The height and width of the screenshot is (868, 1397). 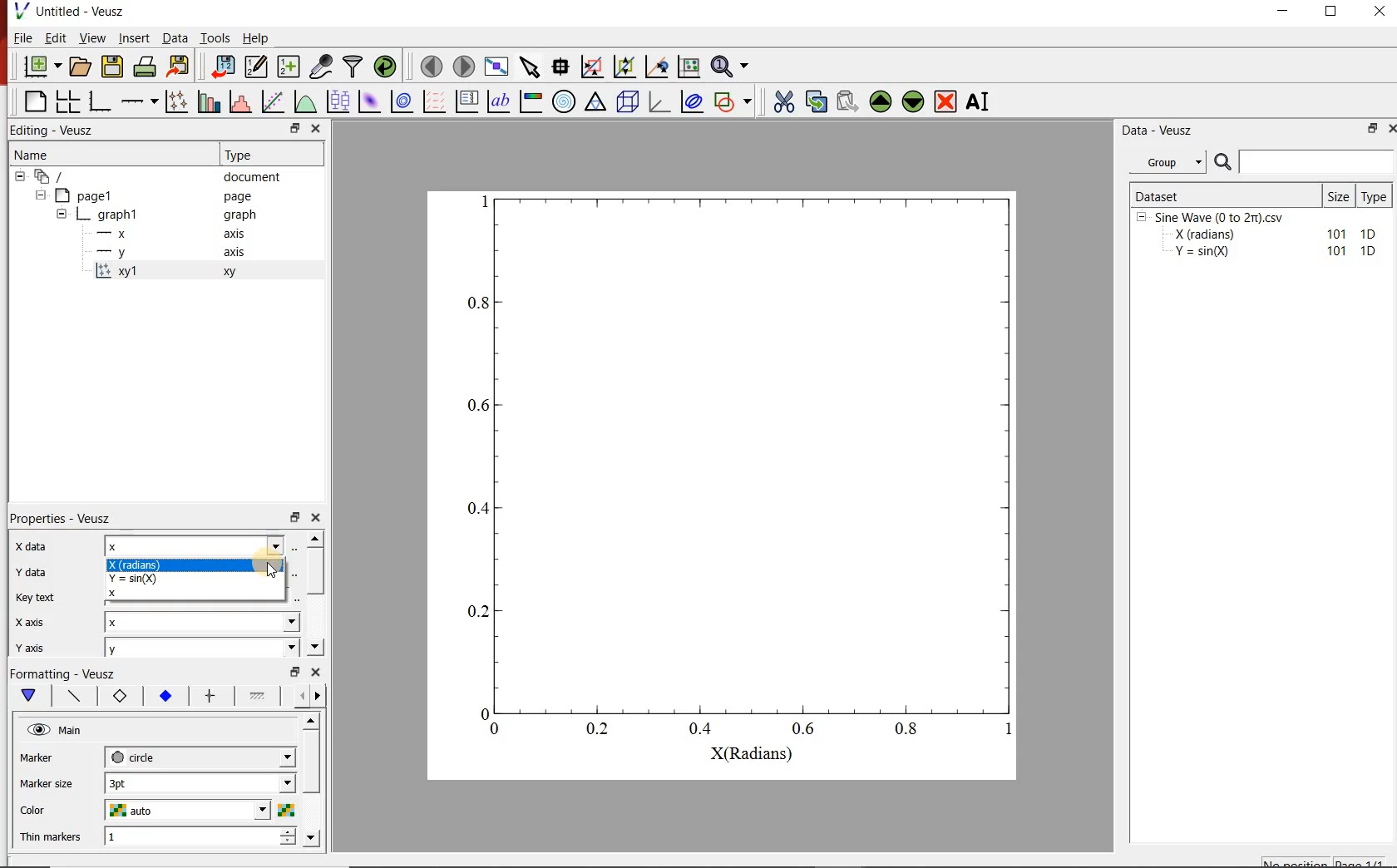 I want to click on plot 2d dataset as contours, so click(x=402, y=101).